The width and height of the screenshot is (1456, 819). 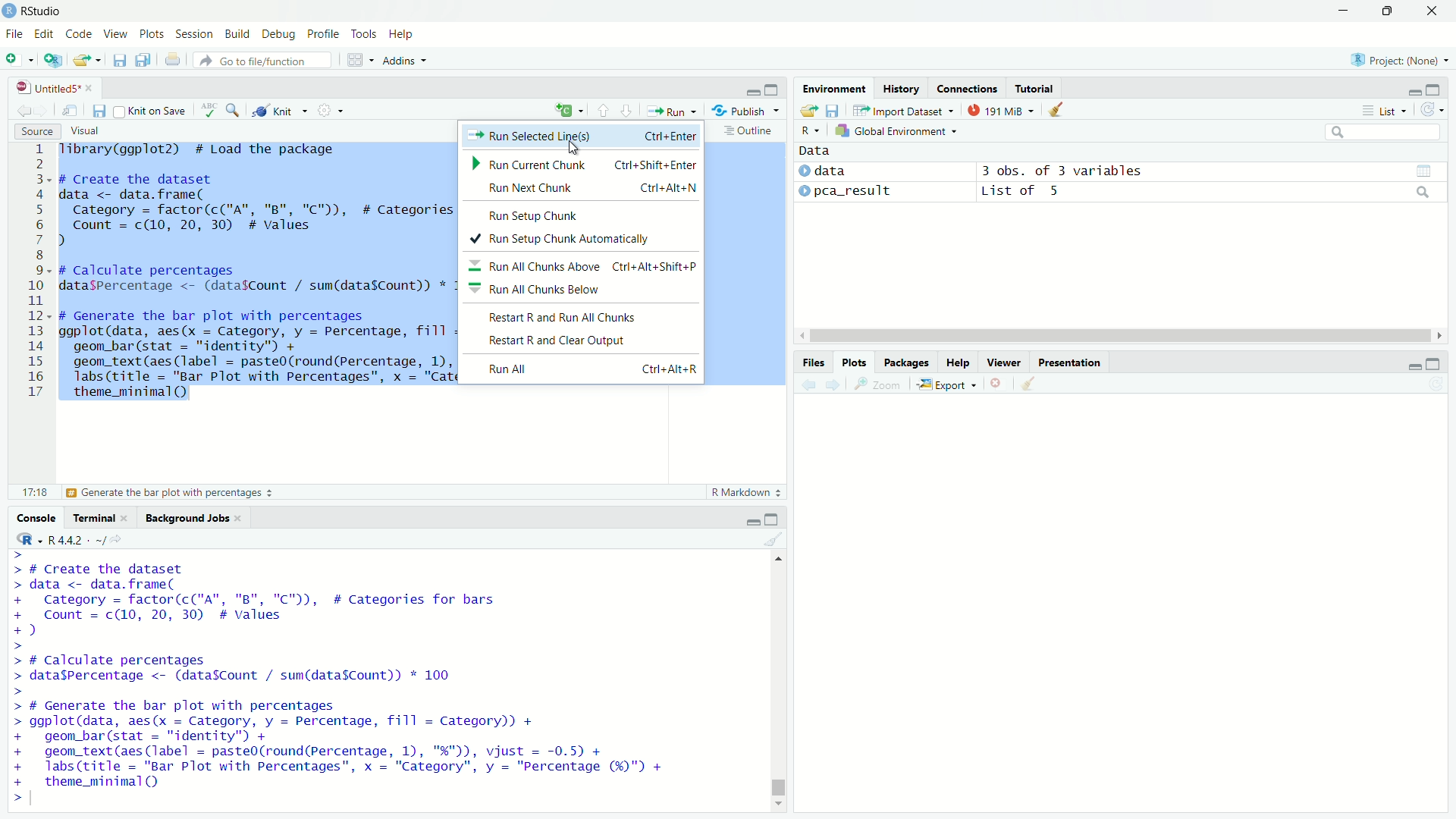 I want to click on tools, so click(x=365, y=35).